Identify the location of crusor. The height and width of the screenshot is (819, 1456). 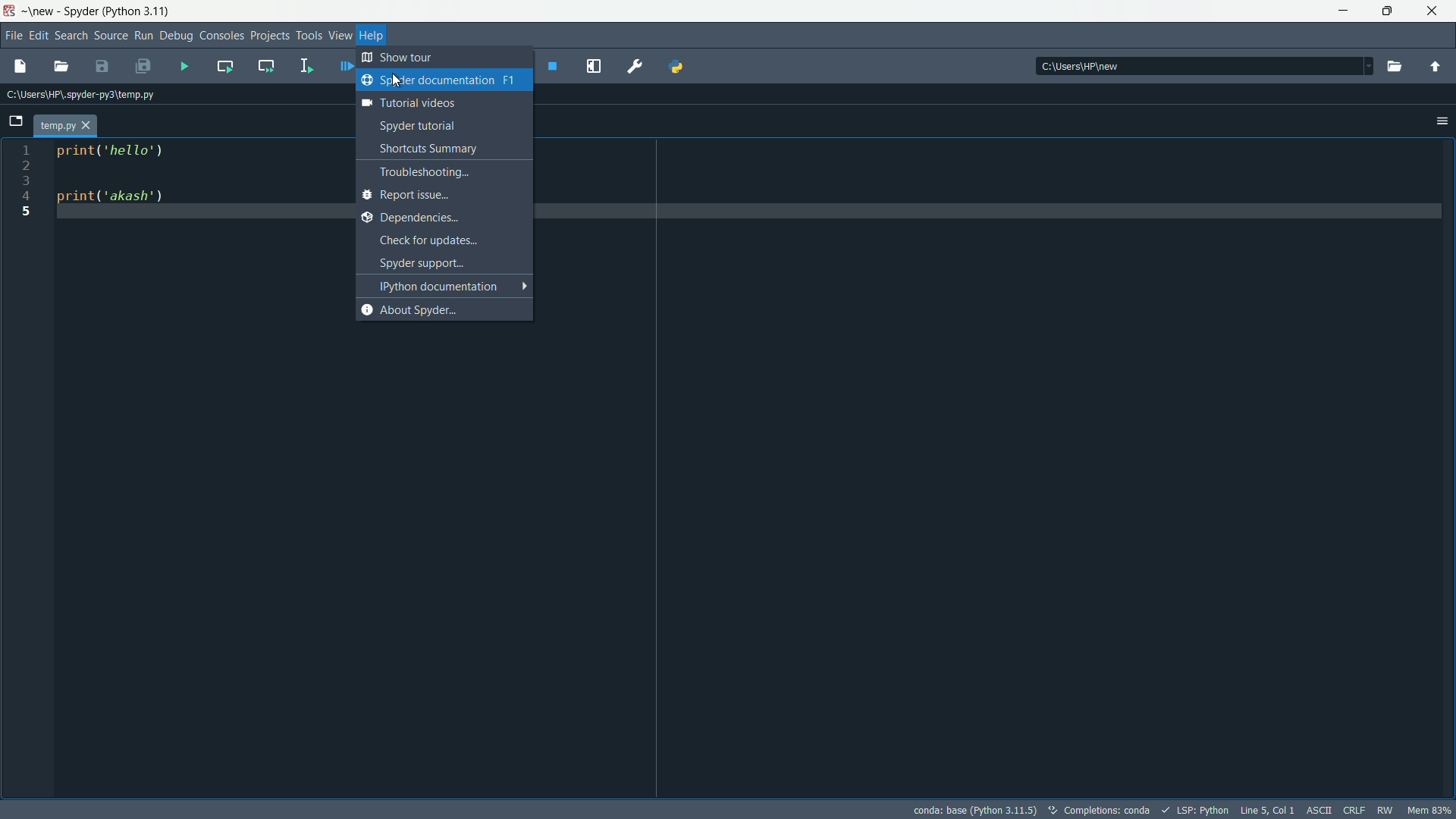
(394, 80).